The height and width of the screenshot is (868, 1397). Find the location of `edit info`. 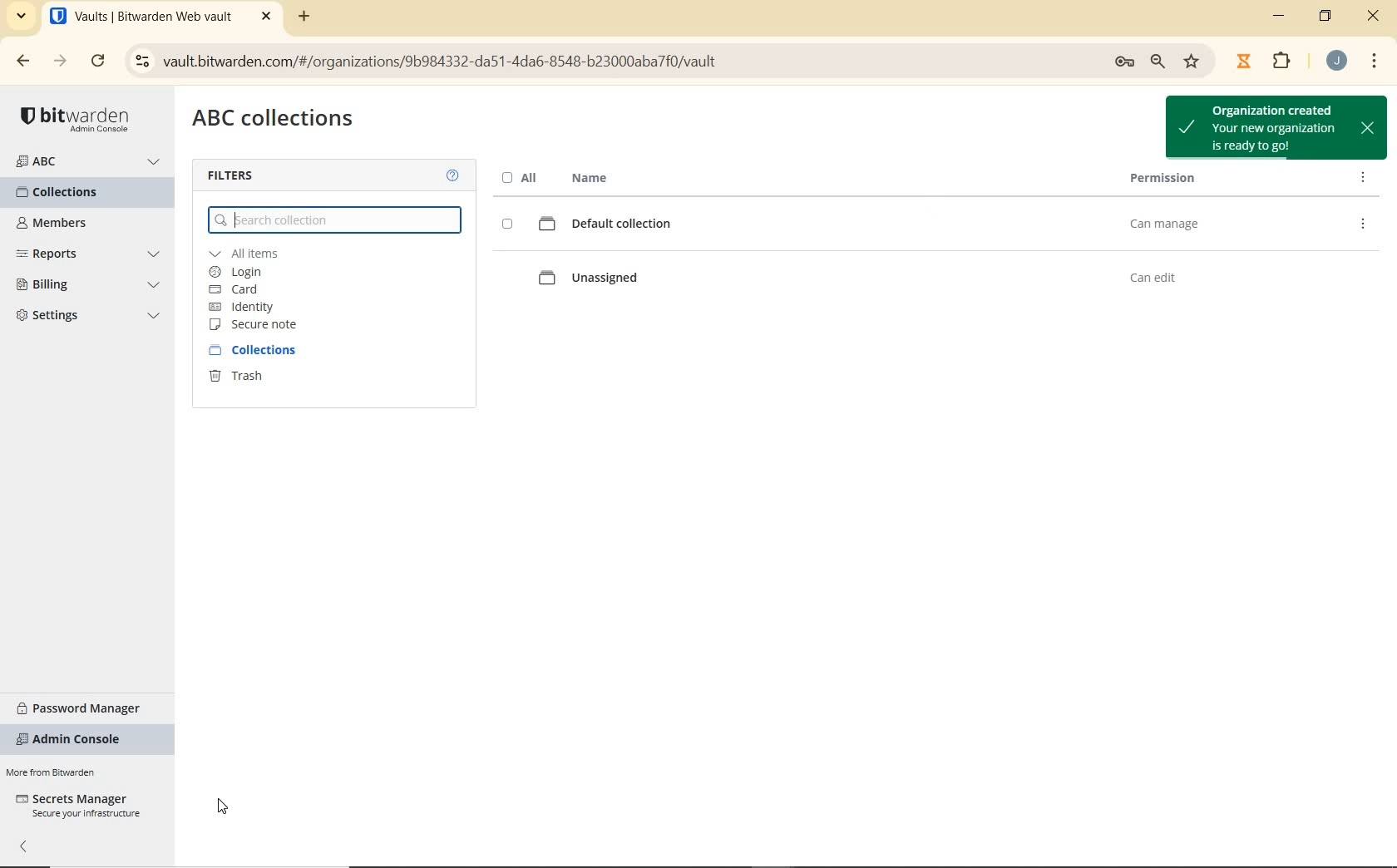

edit info is located at coordinates (1364, 224).